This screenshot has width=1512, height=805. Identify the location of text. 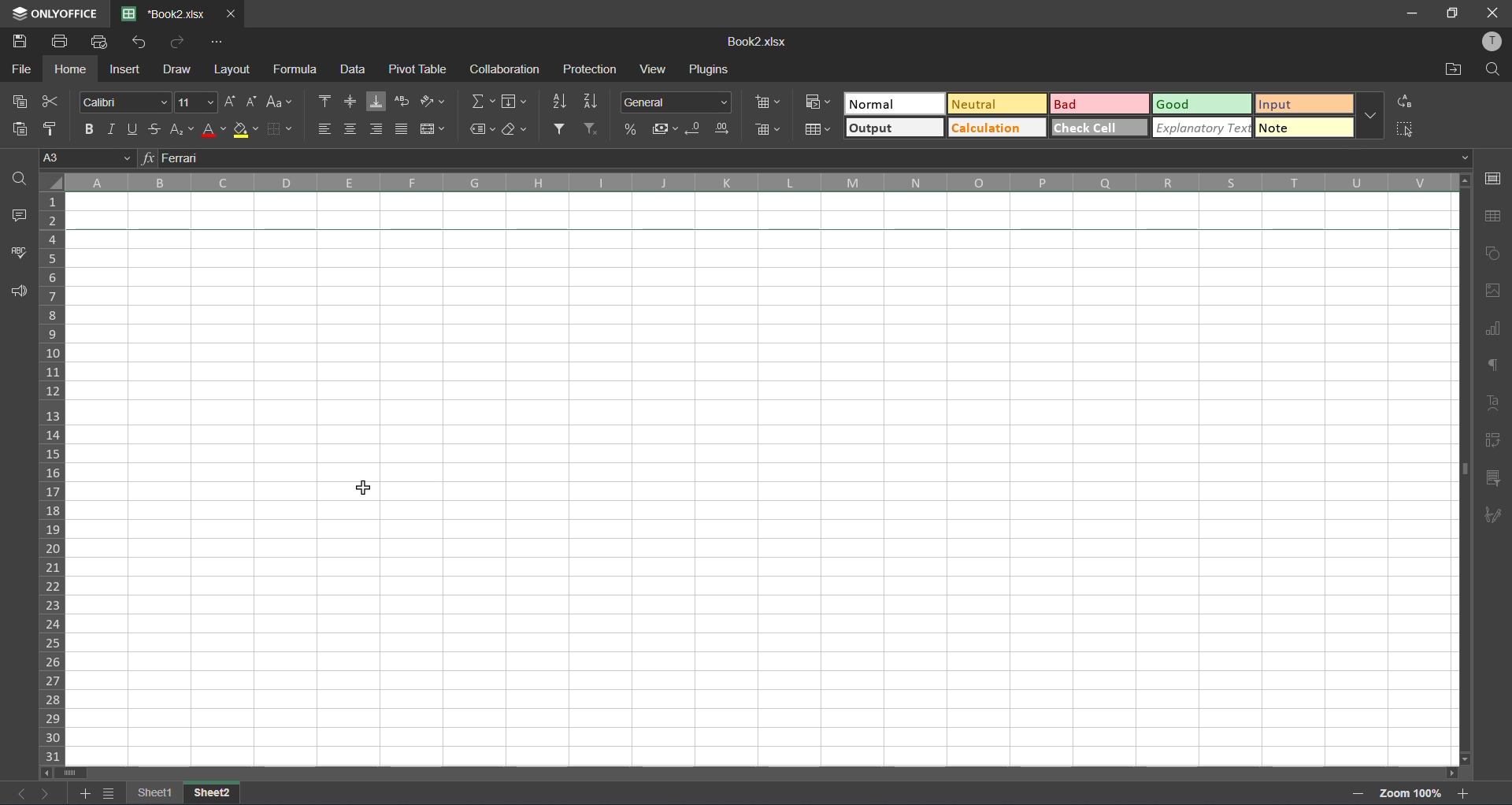
(1492, 403).